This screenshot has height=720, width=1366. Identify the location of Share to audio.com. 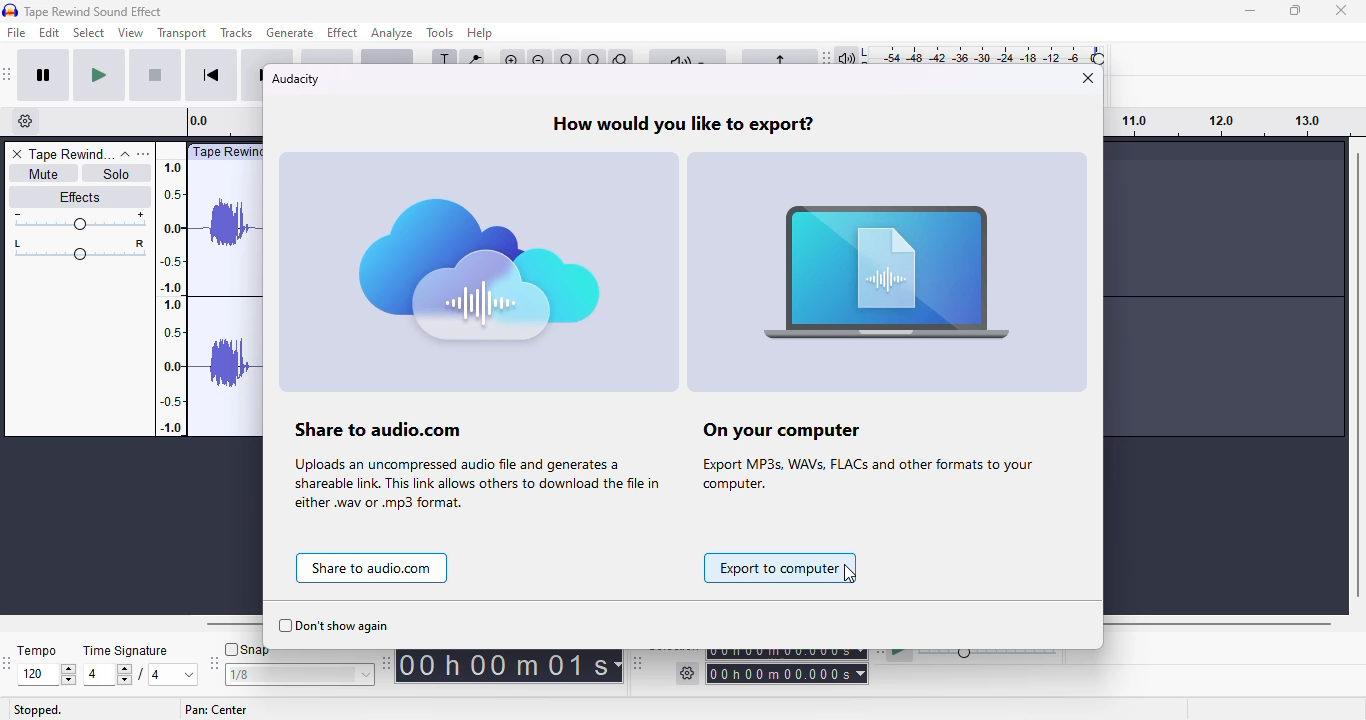
(405, 427).